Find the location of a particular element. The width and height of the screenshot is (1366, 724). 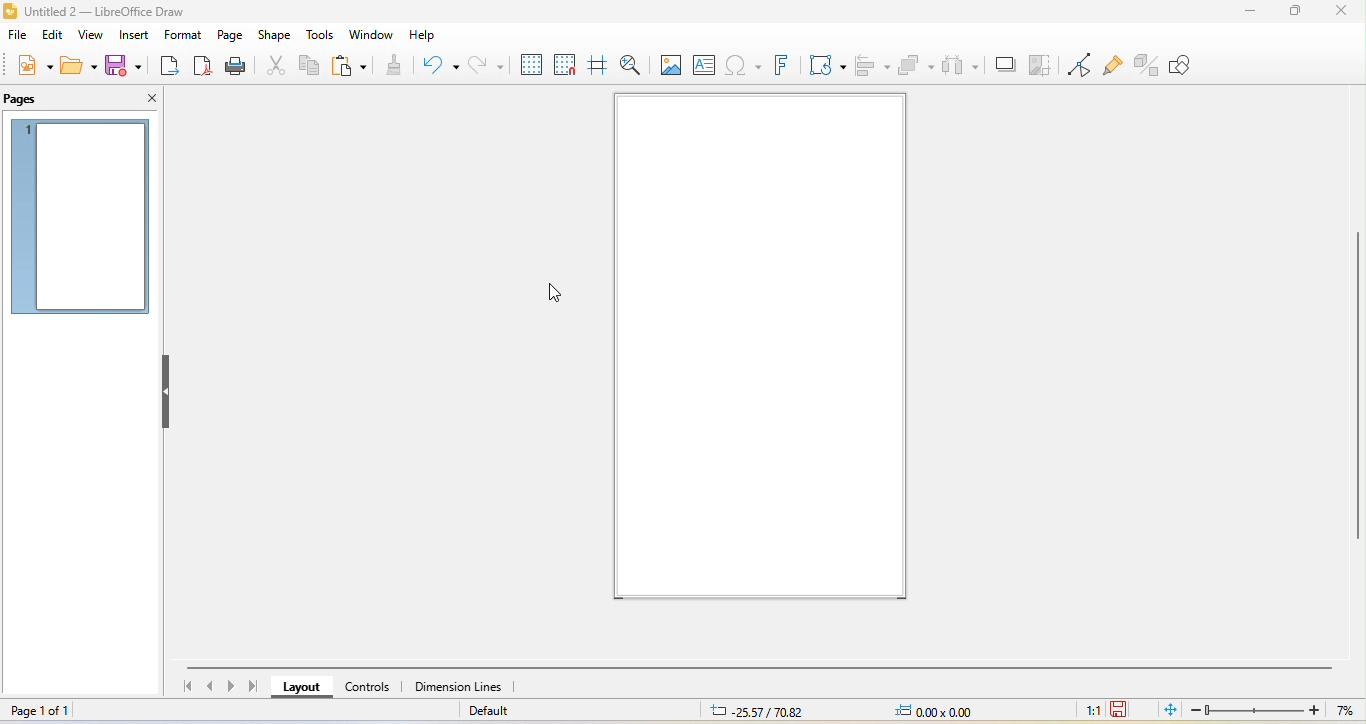

shadow is located at coordinates (1008, 66).